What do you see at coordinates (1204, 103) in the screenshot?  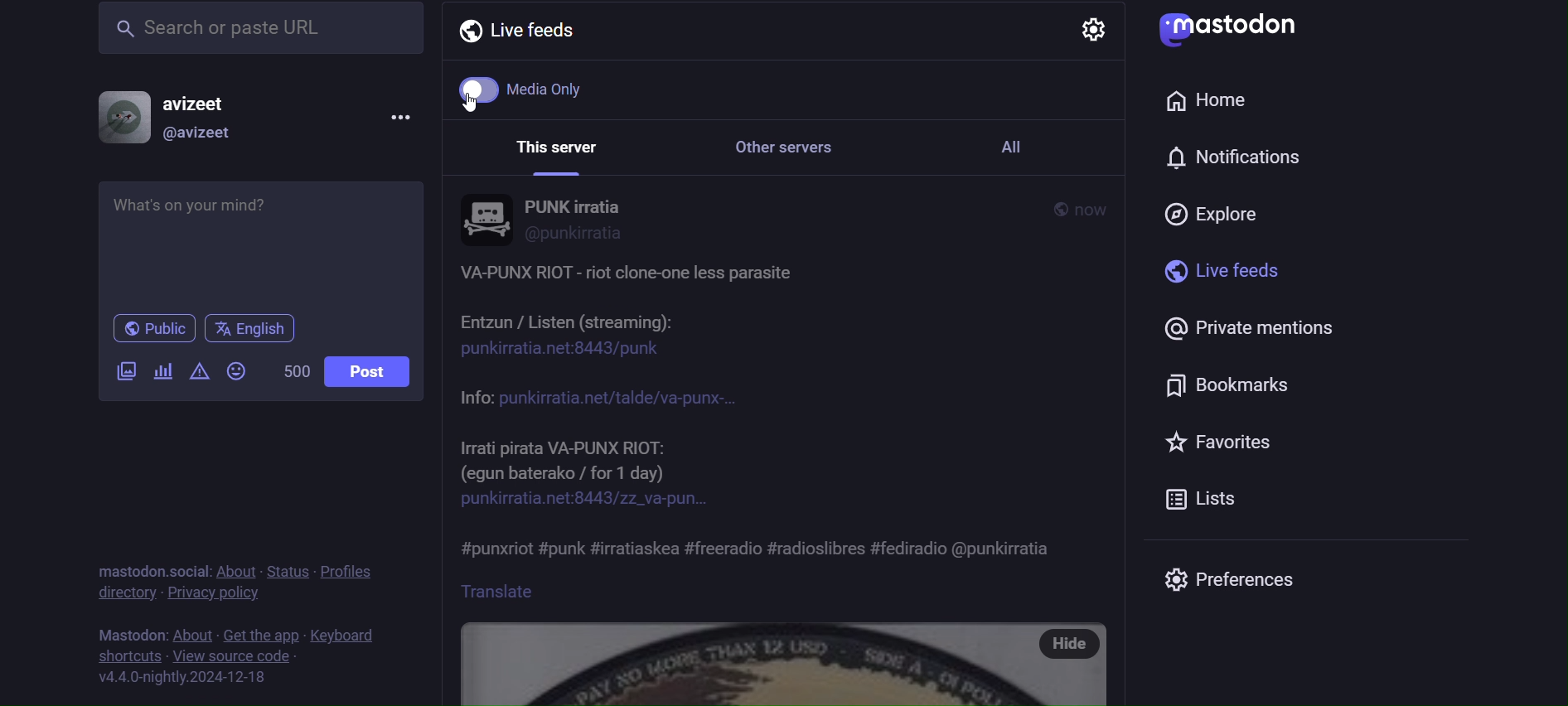 I see `home` at bounding box center [1204, 103].